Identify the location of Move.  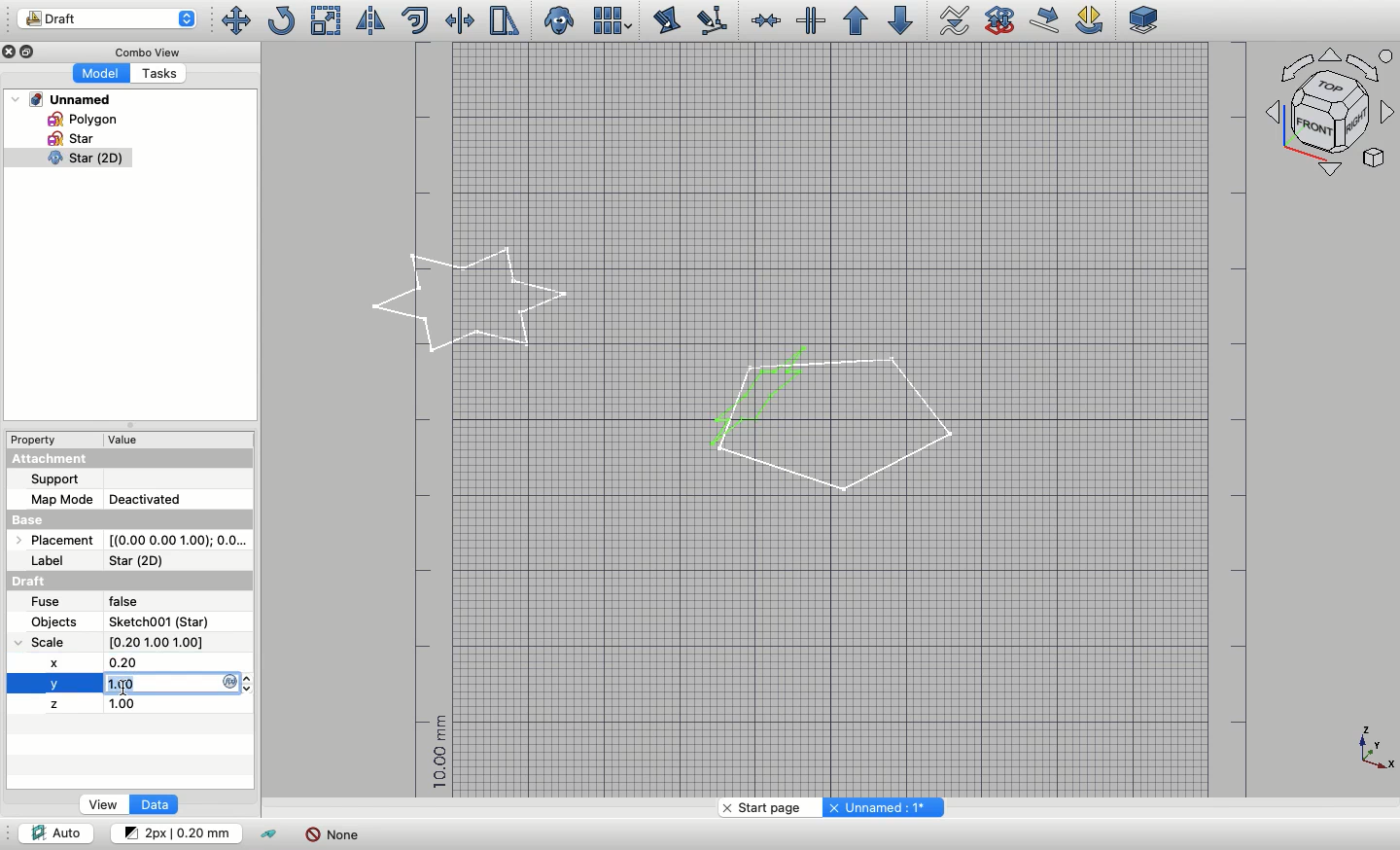
(234, 20).